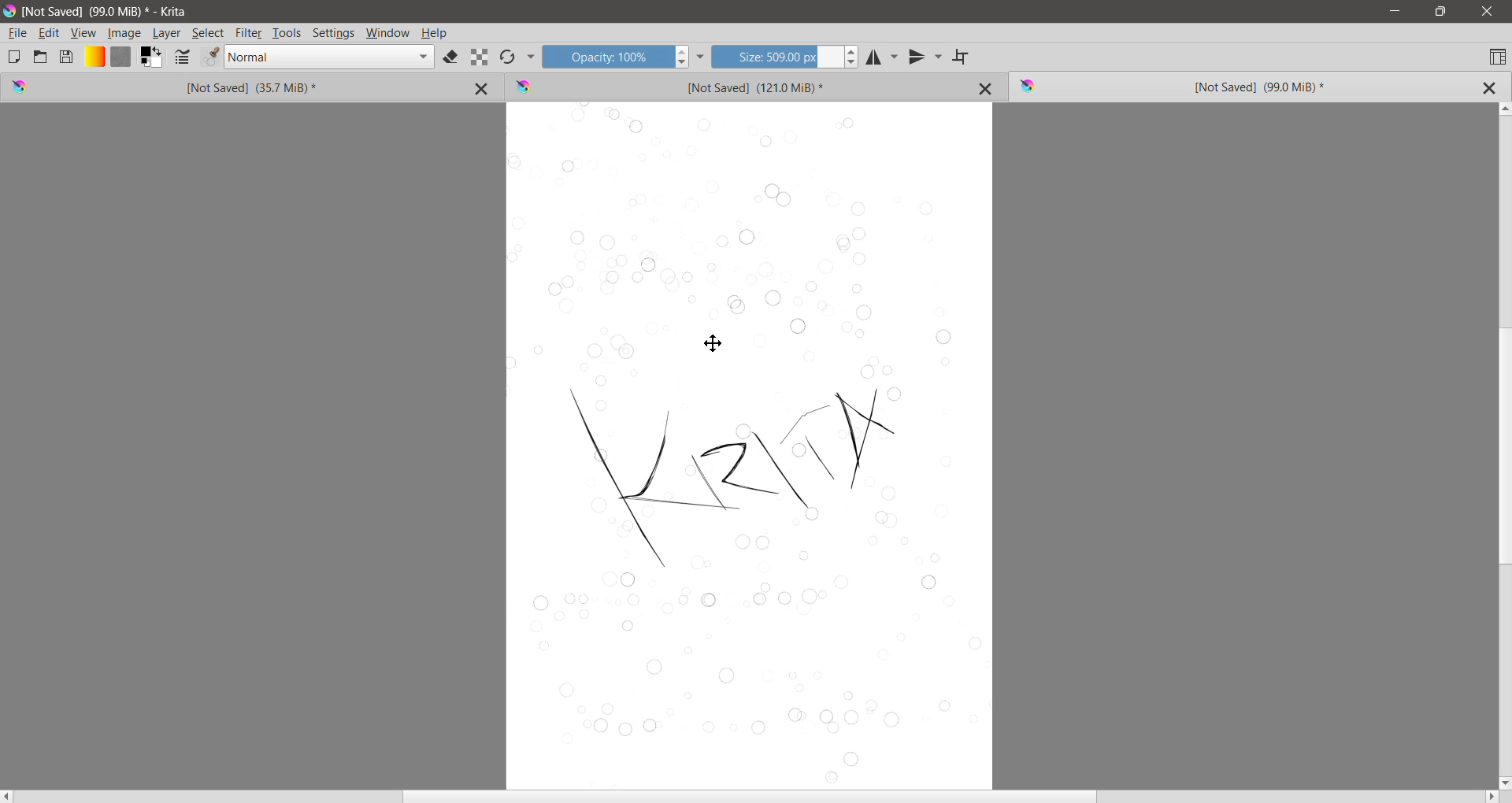  Describe the element at coordinates (124, 34) in the screenshot. I see `Image` at that location.